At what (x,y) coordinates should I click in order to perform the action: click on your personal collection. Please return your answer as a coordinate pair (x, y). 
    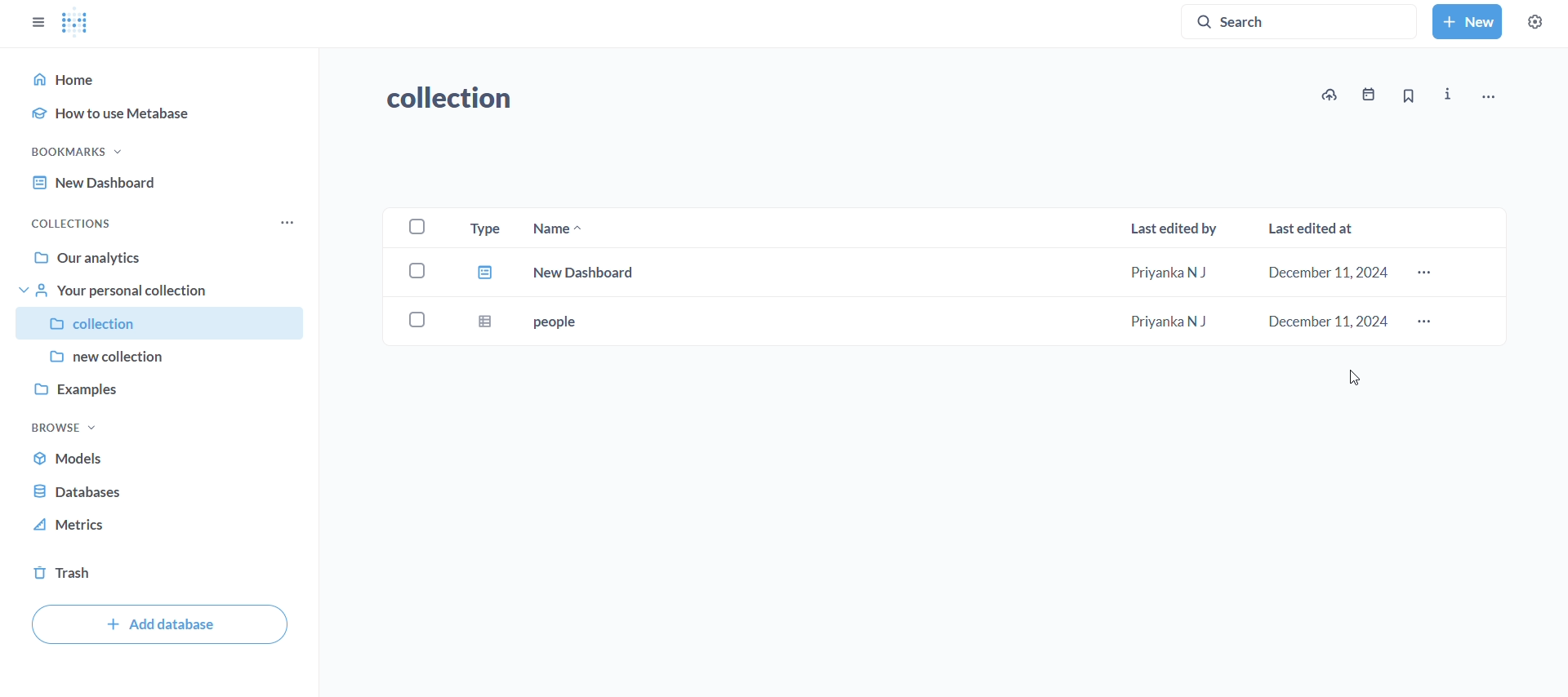
    Looking at the image, I should click on (155, 291).